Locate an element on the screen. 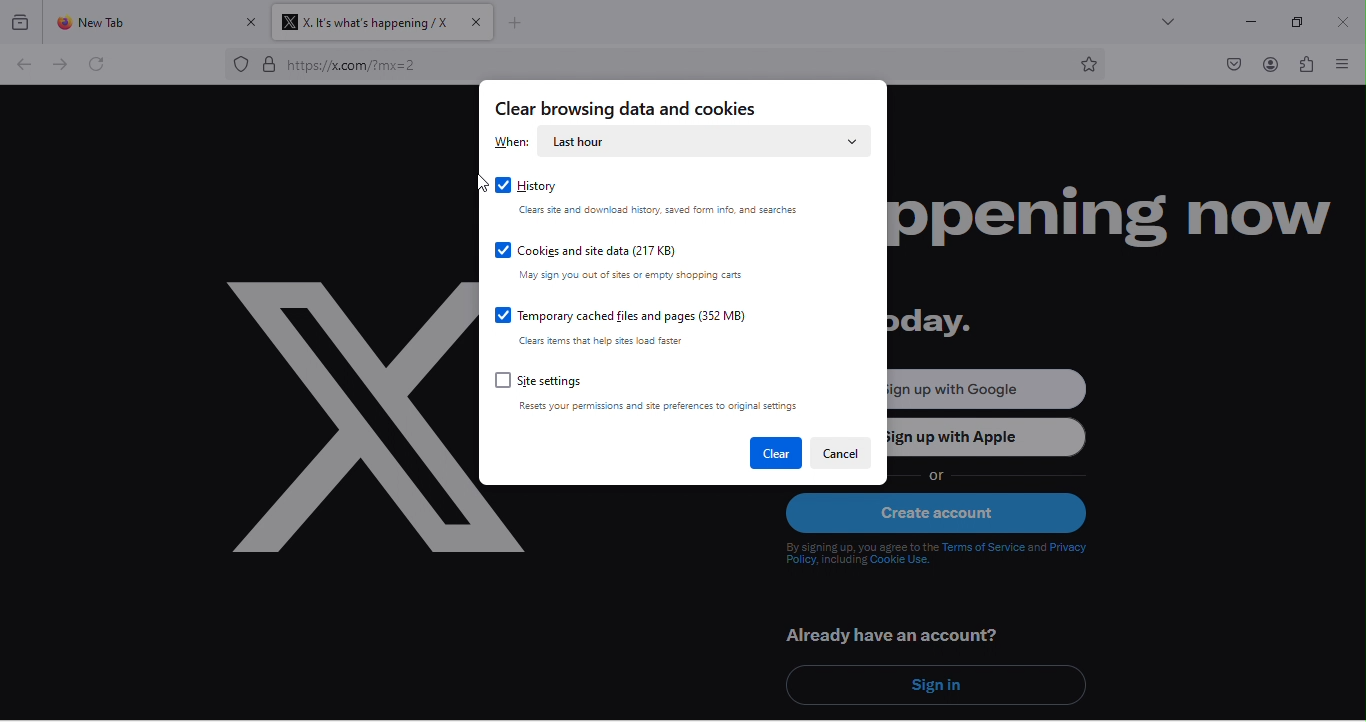  sign up with apple is located at coordinates (989, 438).